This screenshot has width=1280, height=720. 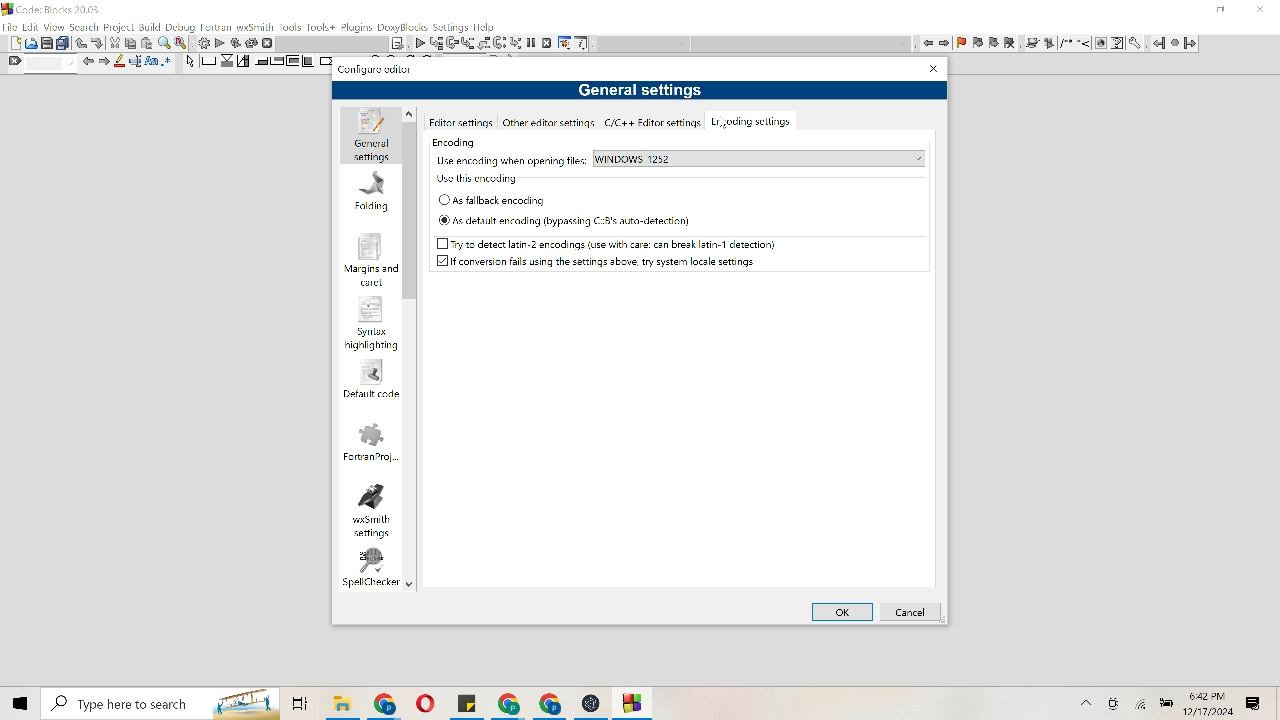 What do you see at coordinates (165, 43) in the screenshot?
I see `Find` at bounding box center [165, 43].